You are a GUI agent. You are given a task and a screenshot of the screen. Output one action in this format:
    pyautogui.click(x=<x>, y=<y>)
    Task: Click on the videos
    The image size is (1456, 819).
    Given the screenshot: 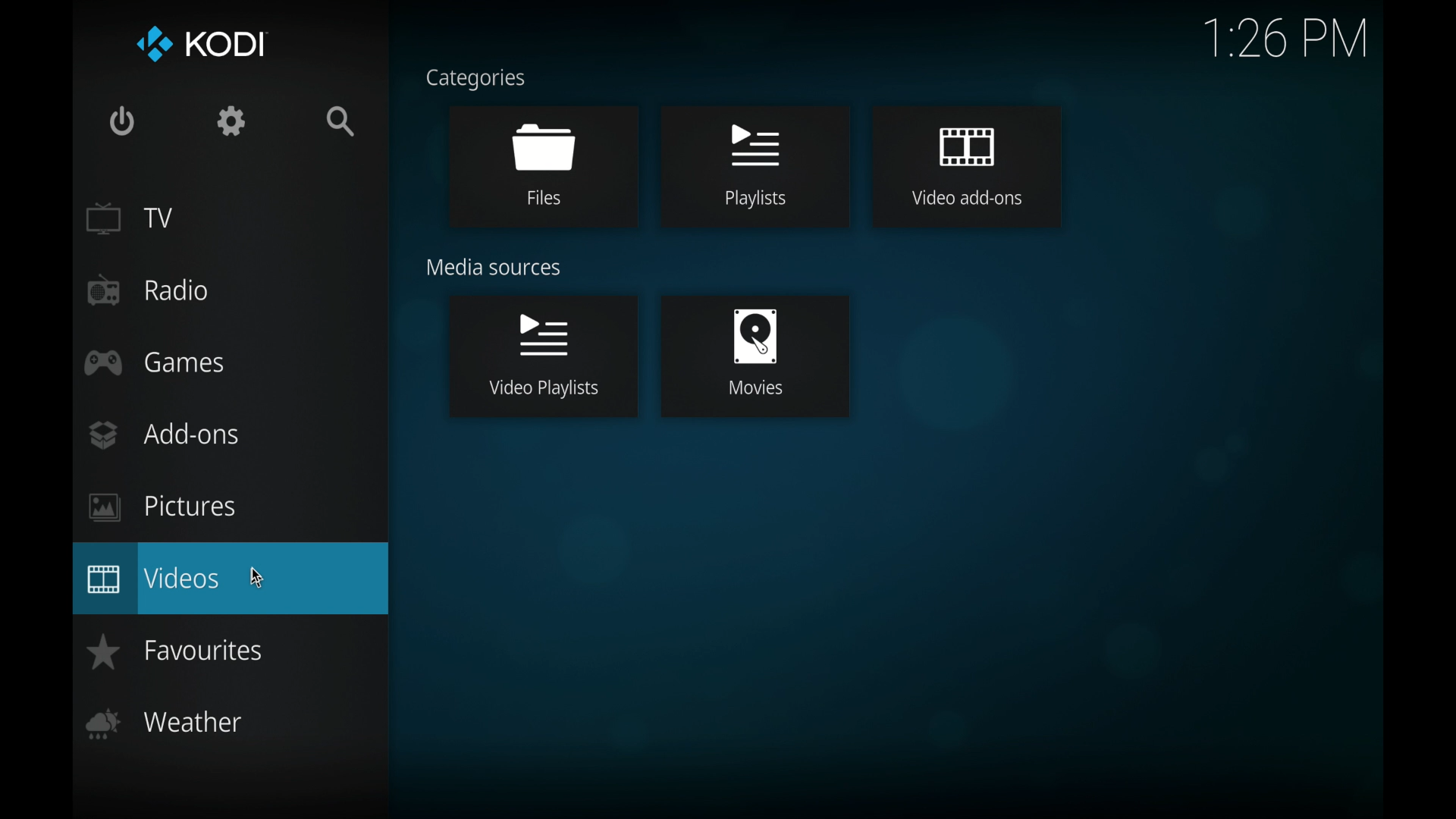 What is the action you would take?
    pyautogui.click(x=232, y=579)
    